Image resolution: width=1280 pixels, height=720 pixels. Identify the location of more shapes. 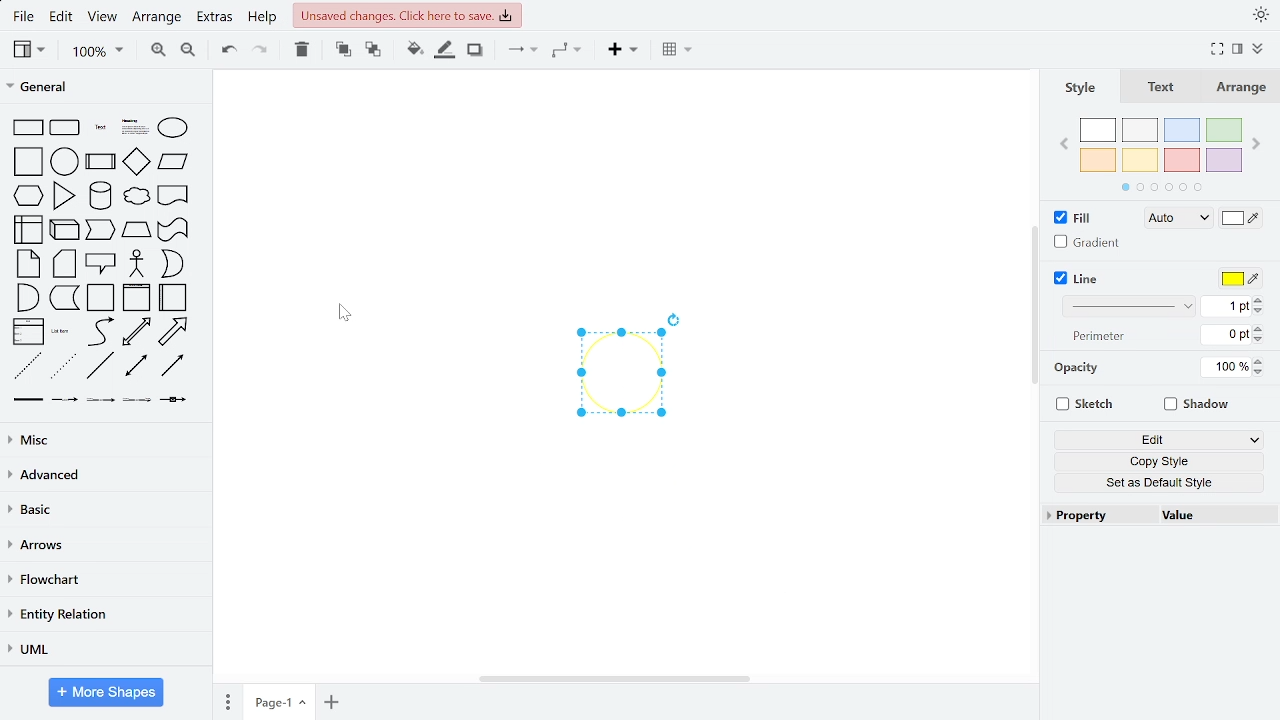
(105, 692).